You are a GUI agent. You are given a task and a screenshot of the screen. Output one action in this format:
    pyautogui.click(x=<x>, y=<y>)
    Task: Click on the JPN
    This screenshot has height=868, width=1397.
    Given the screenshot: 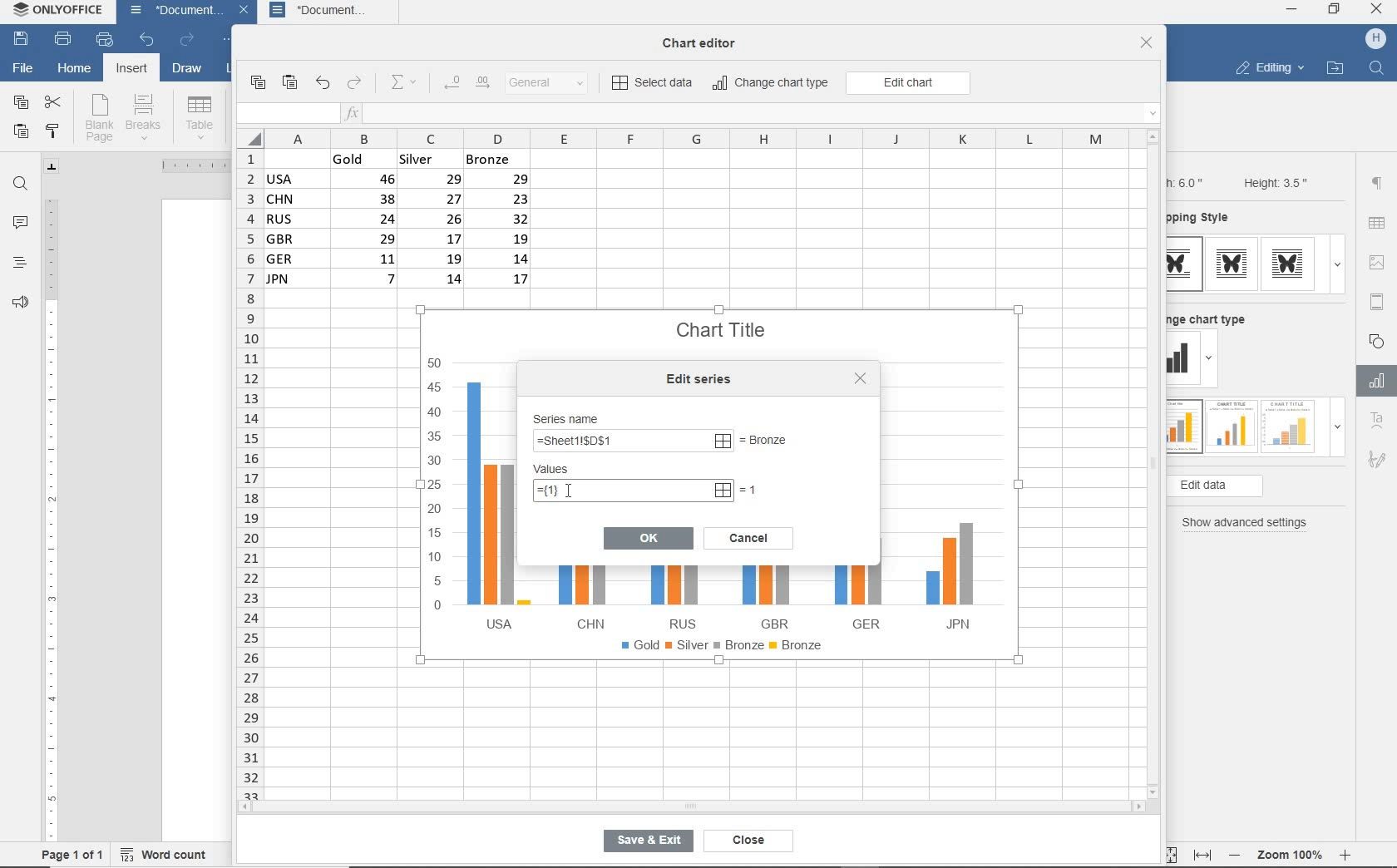 What is the action you would take?
    pyautogui.click(x=945, y=579)
    